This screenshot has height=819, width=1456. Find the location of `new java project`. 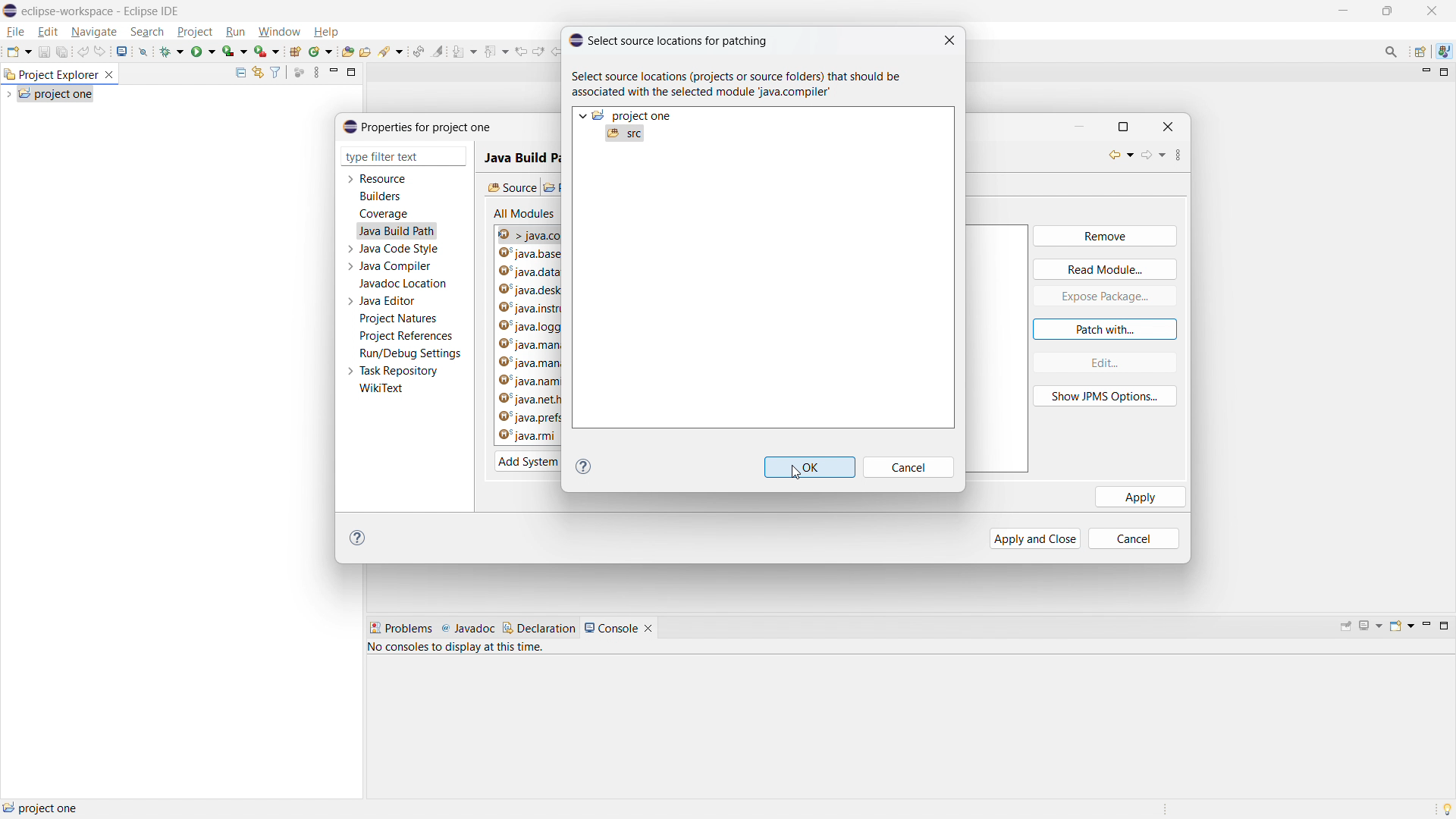

new java project is located at coordinates (294, 52).